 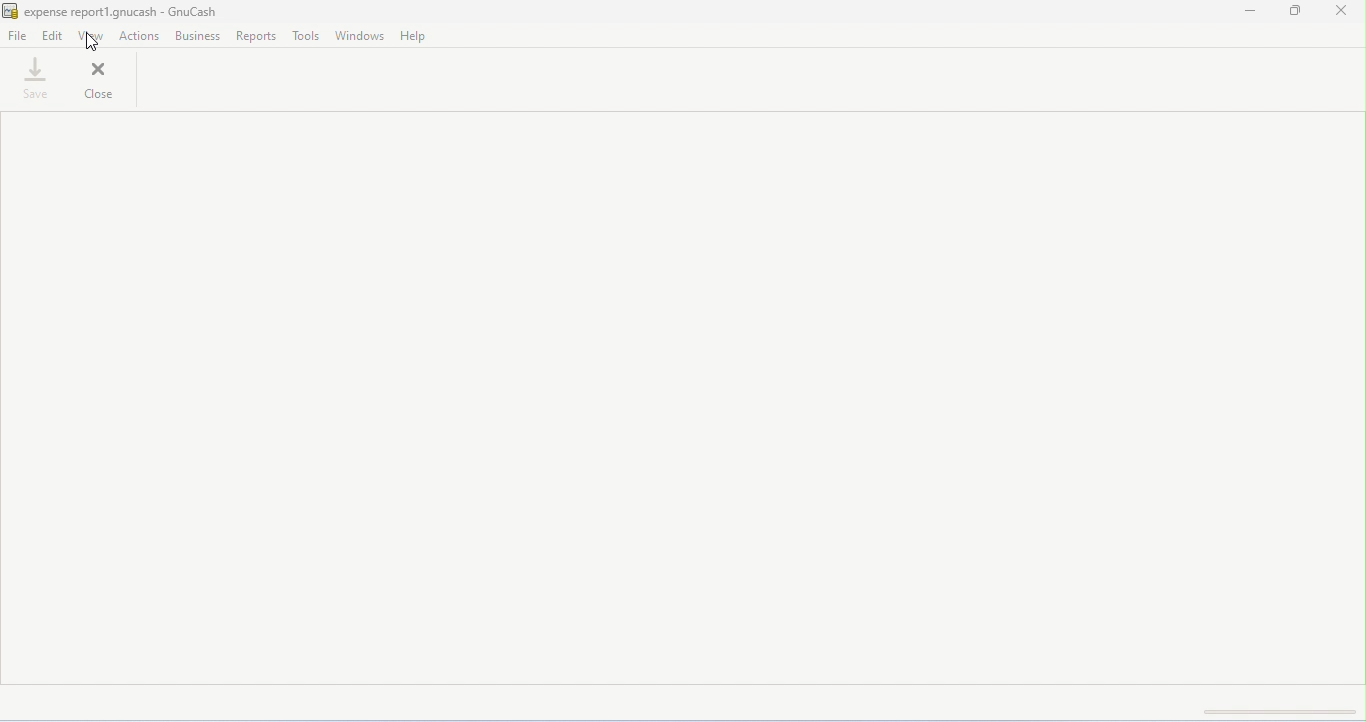 I want to click on minimize, so click(x=1254, y=13).